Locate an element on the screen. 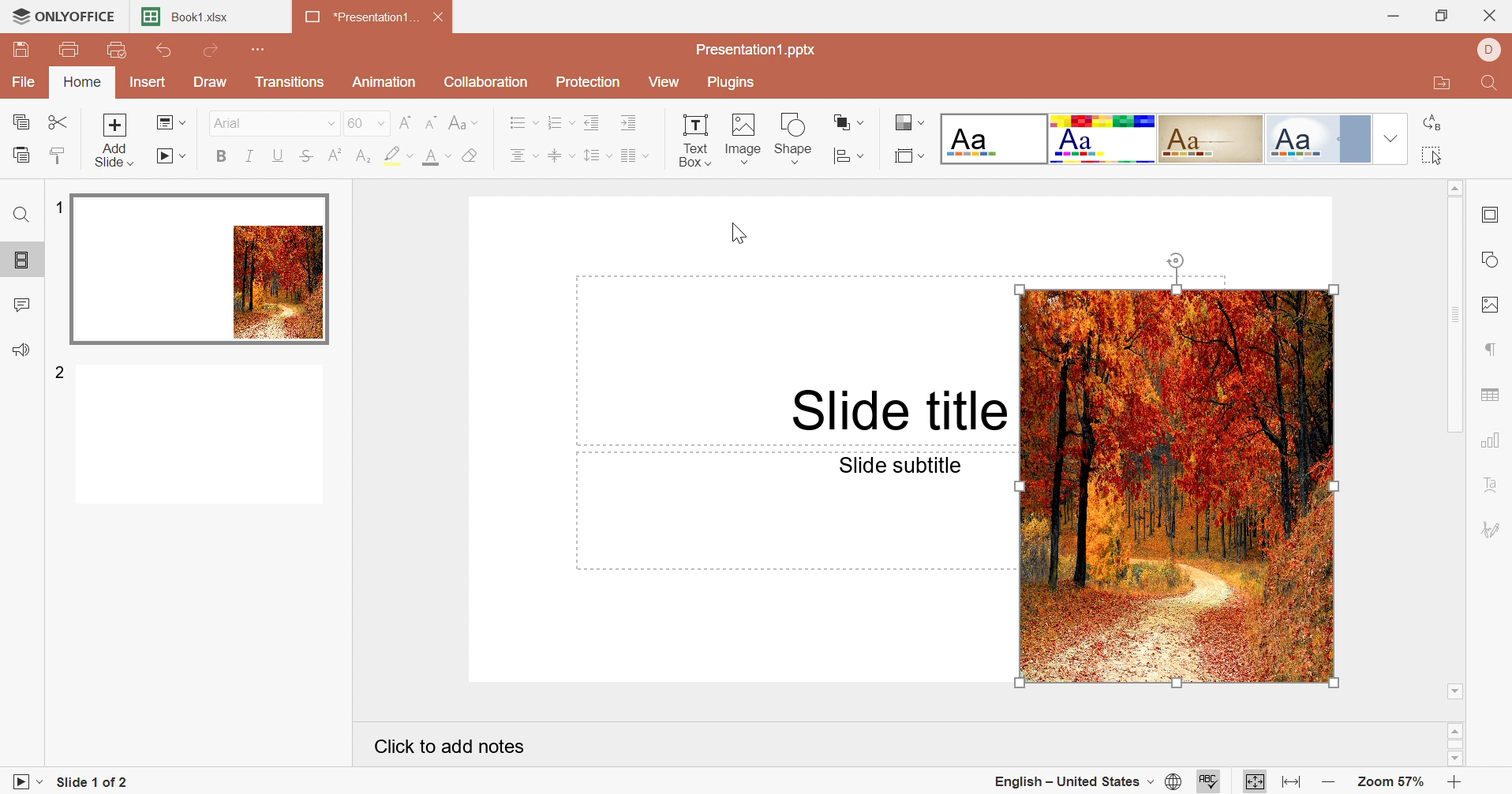 The width and height of the screenshot is (1512, 794). Copy is located at coordinates (22, 122).